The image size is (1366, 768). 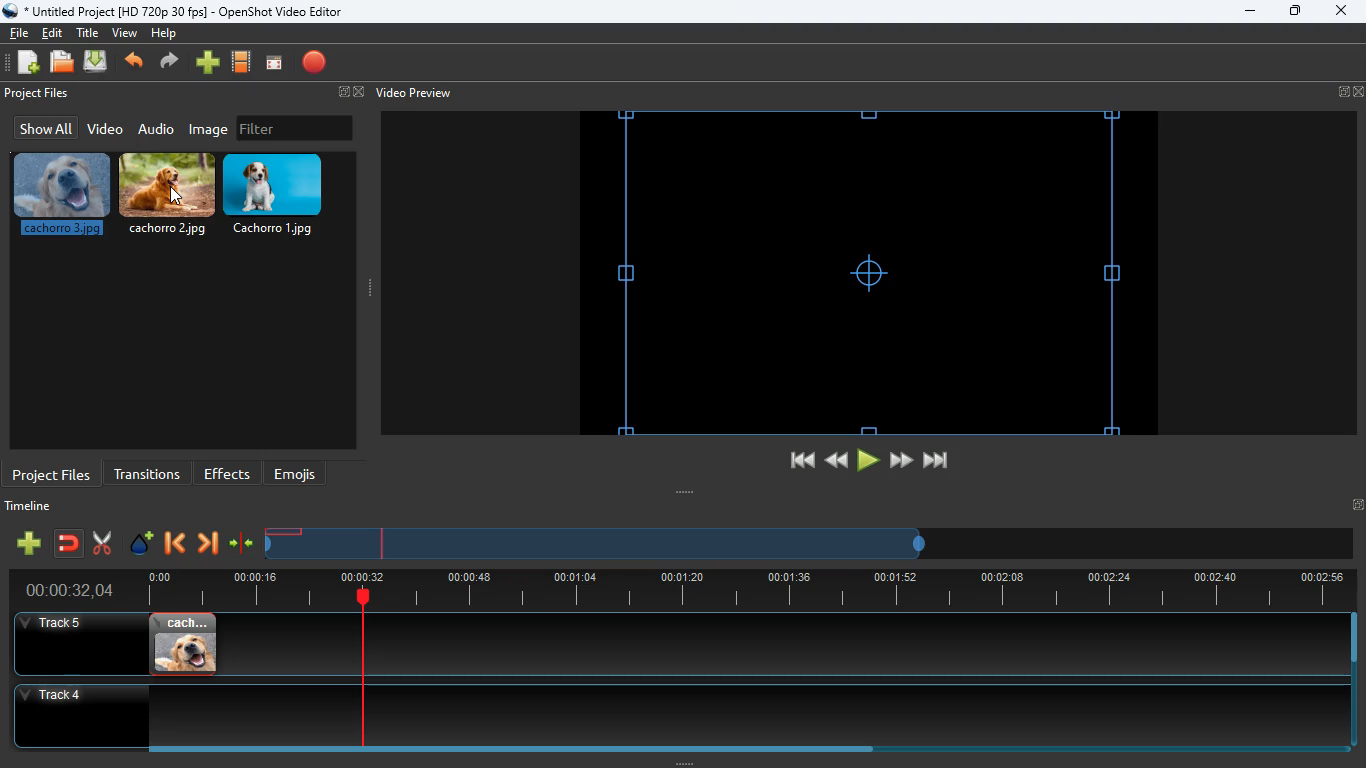 What do you see at coordinates (173, 545) in the screenshot?
I see `back` at bounding box center [173, 545].